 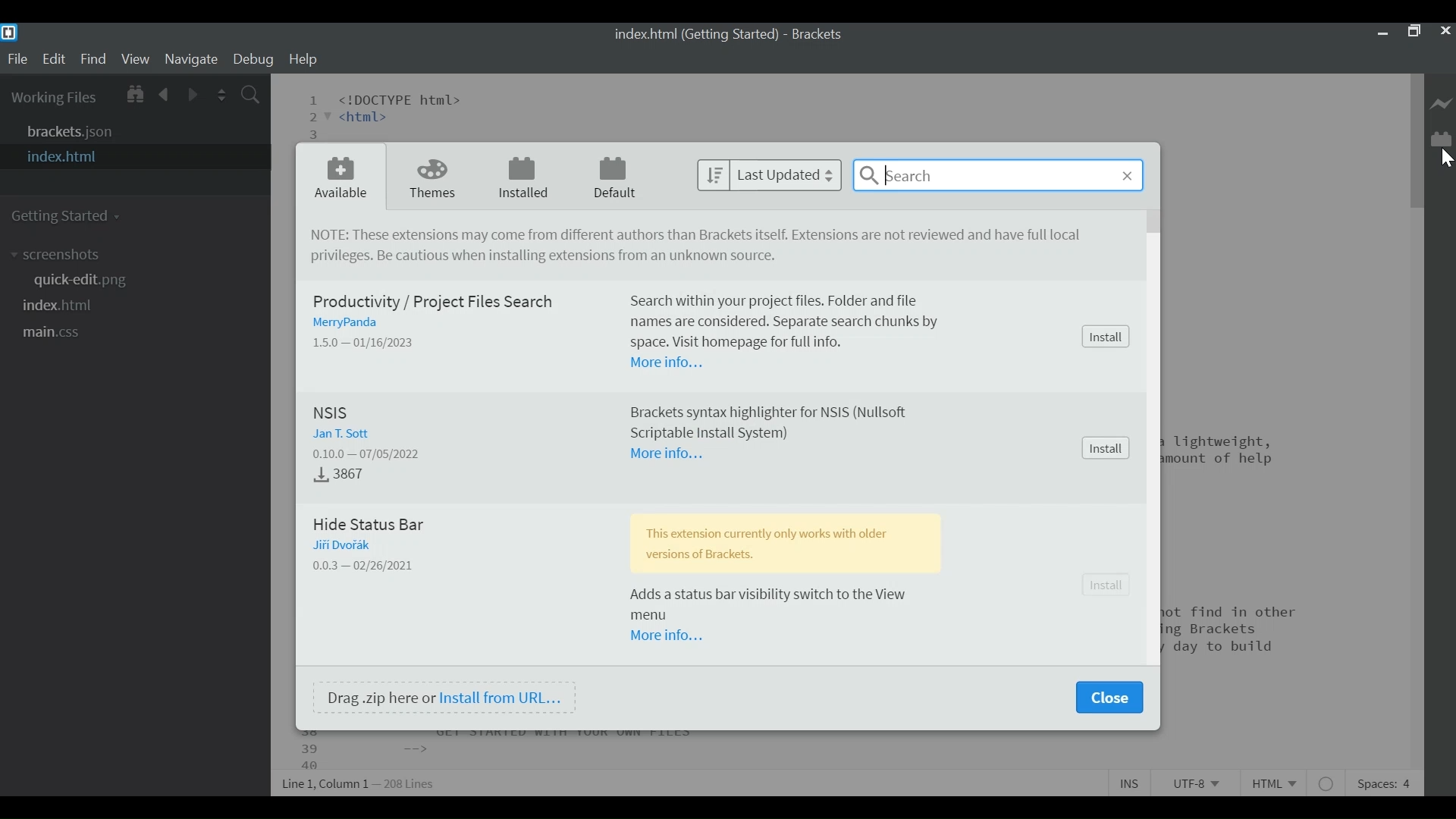 What do you see at coordinates (360, 781) in the screenshot?
I see `Line, Column Preferences` at bounding box center [360, 781].